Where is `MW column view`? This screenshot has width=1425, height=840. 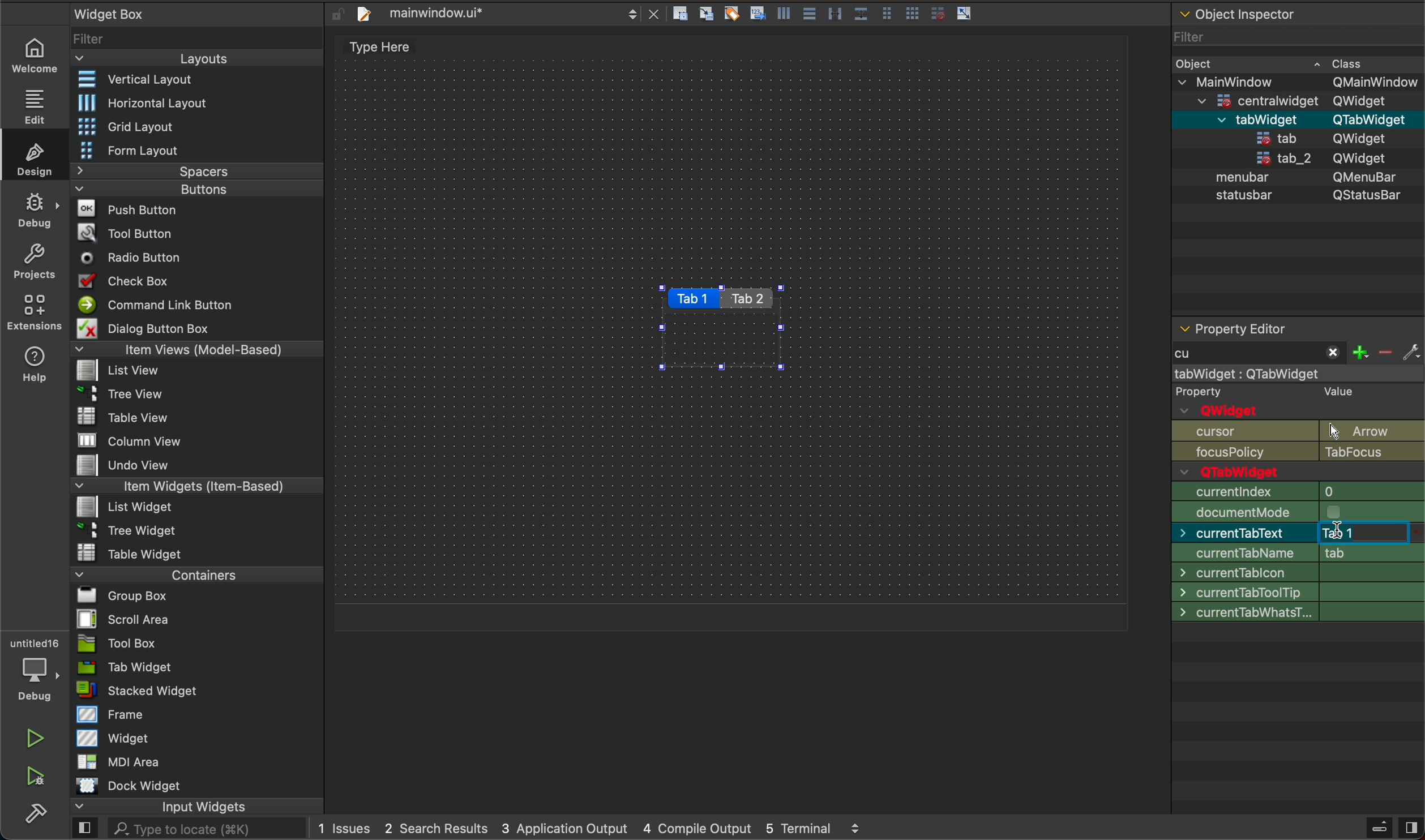 MW column view is located at coordinates (117, 440).